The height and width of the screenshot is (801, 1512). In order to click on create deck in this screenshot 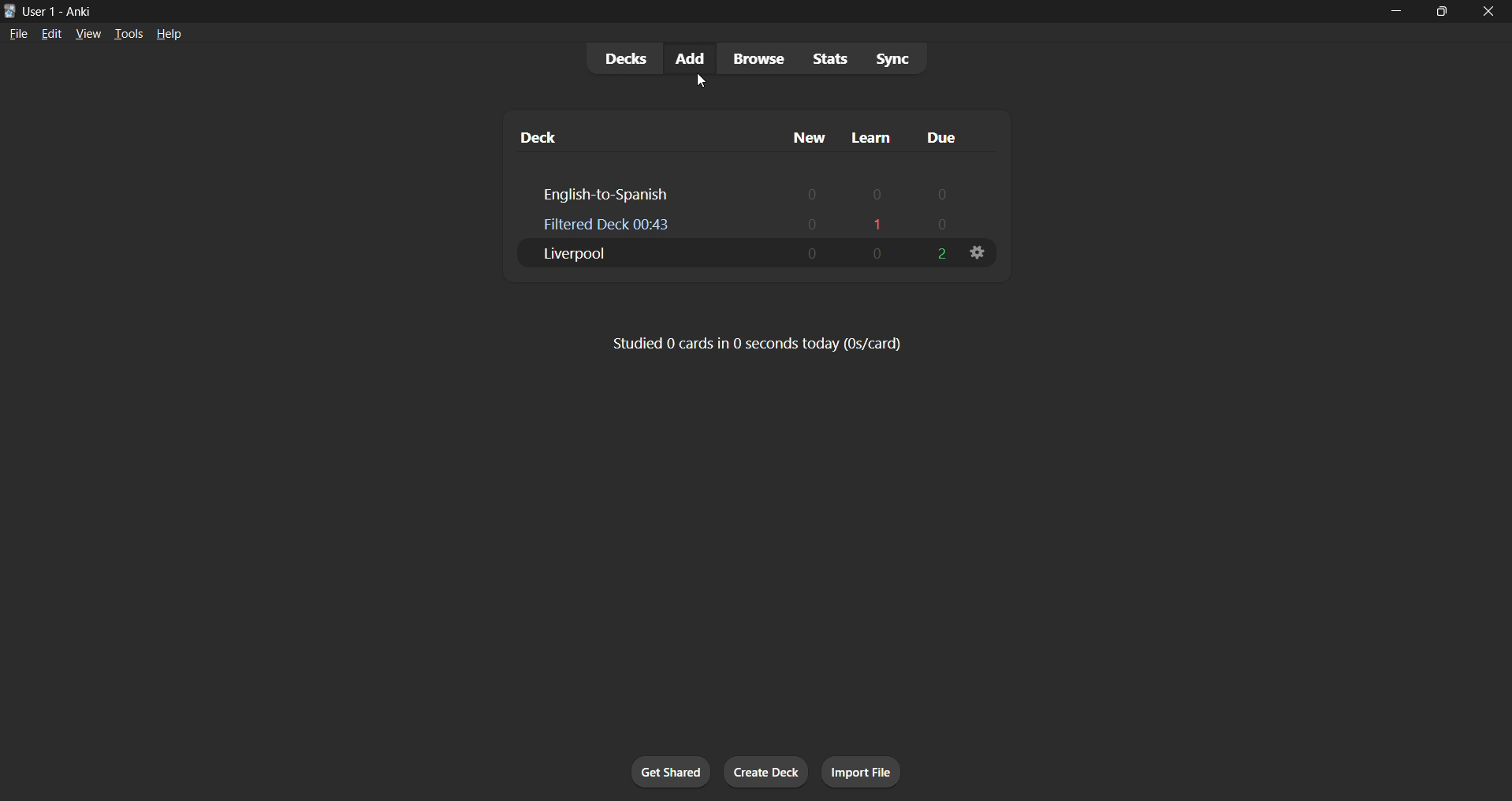, I will do `click(765, 771)`.